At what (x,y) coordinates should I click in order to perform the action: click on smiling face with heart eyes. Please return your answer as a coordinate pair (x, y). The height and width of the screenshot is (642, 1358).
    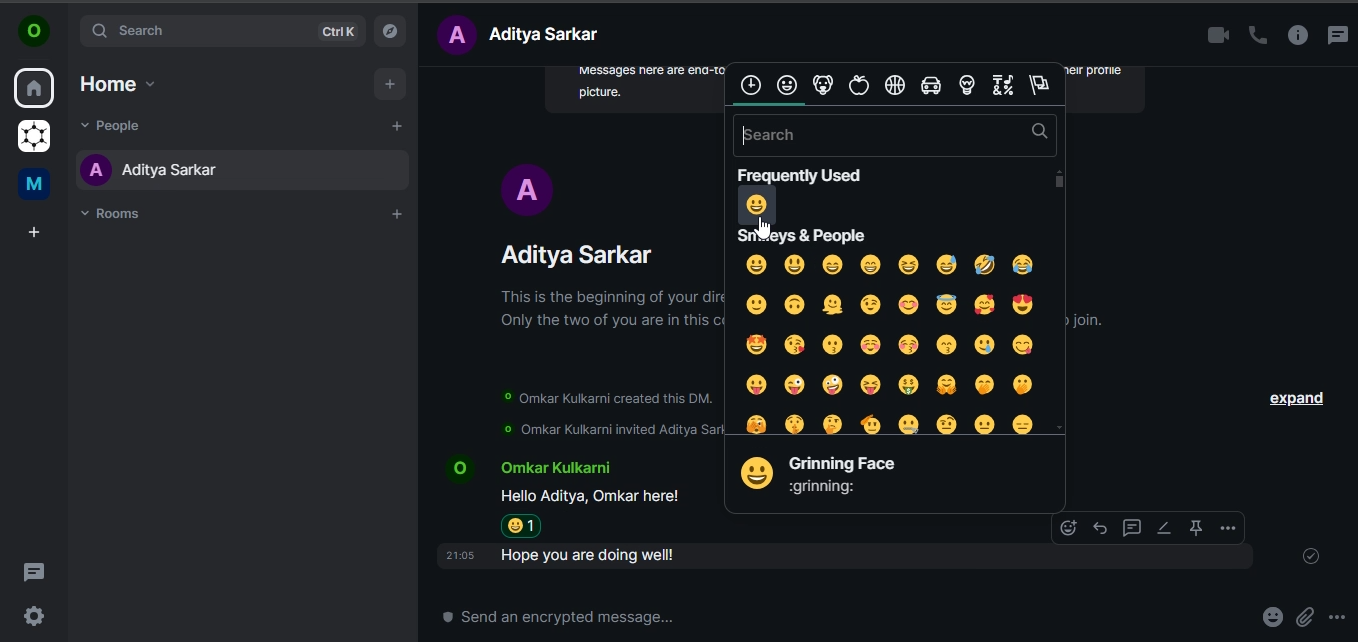
    Looking at the image, I should click on (1023, 304).